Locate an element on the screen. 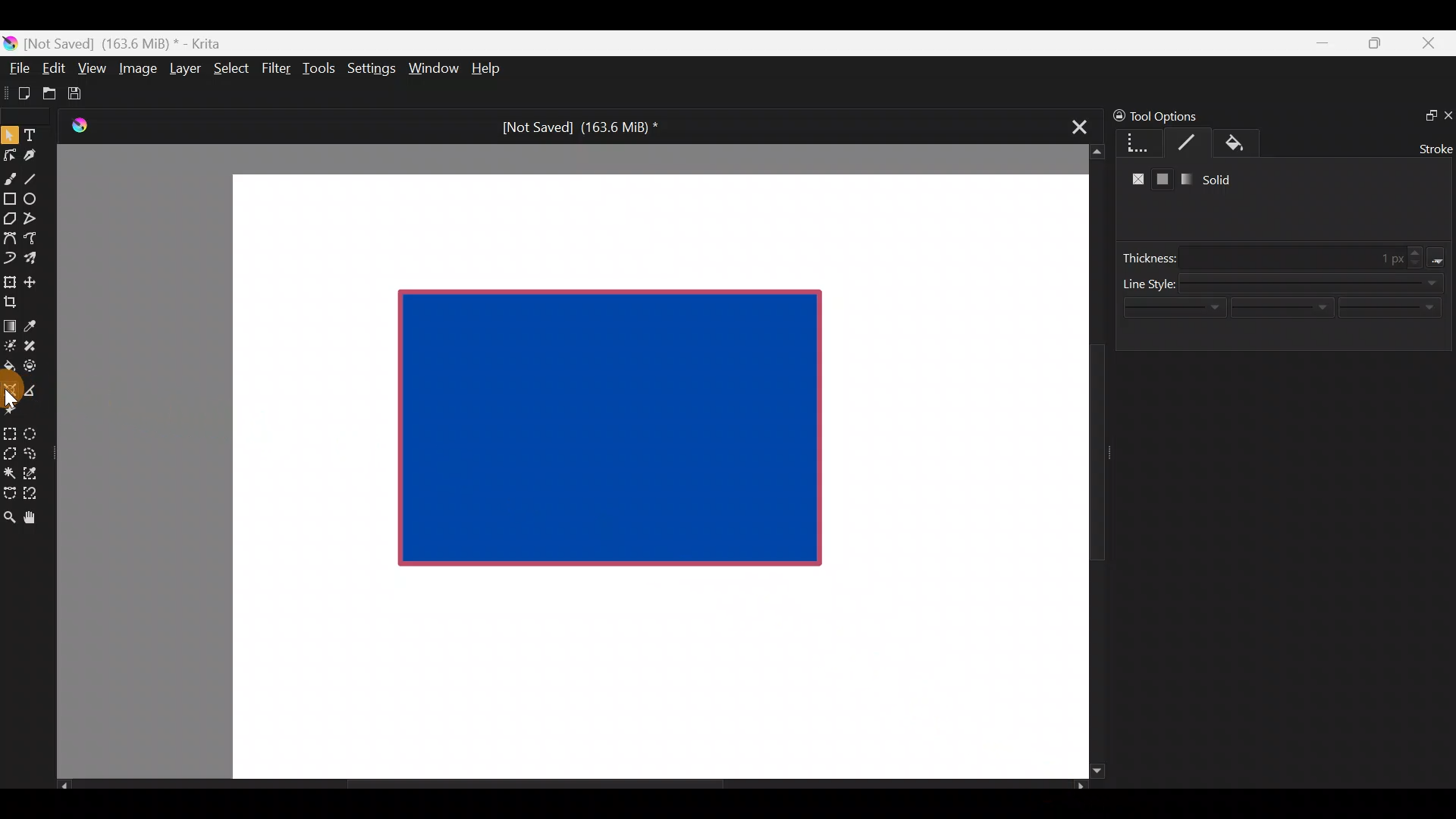 This screenshot has width=1456, height=819. Krita logo is located at coordinates (10, 42).